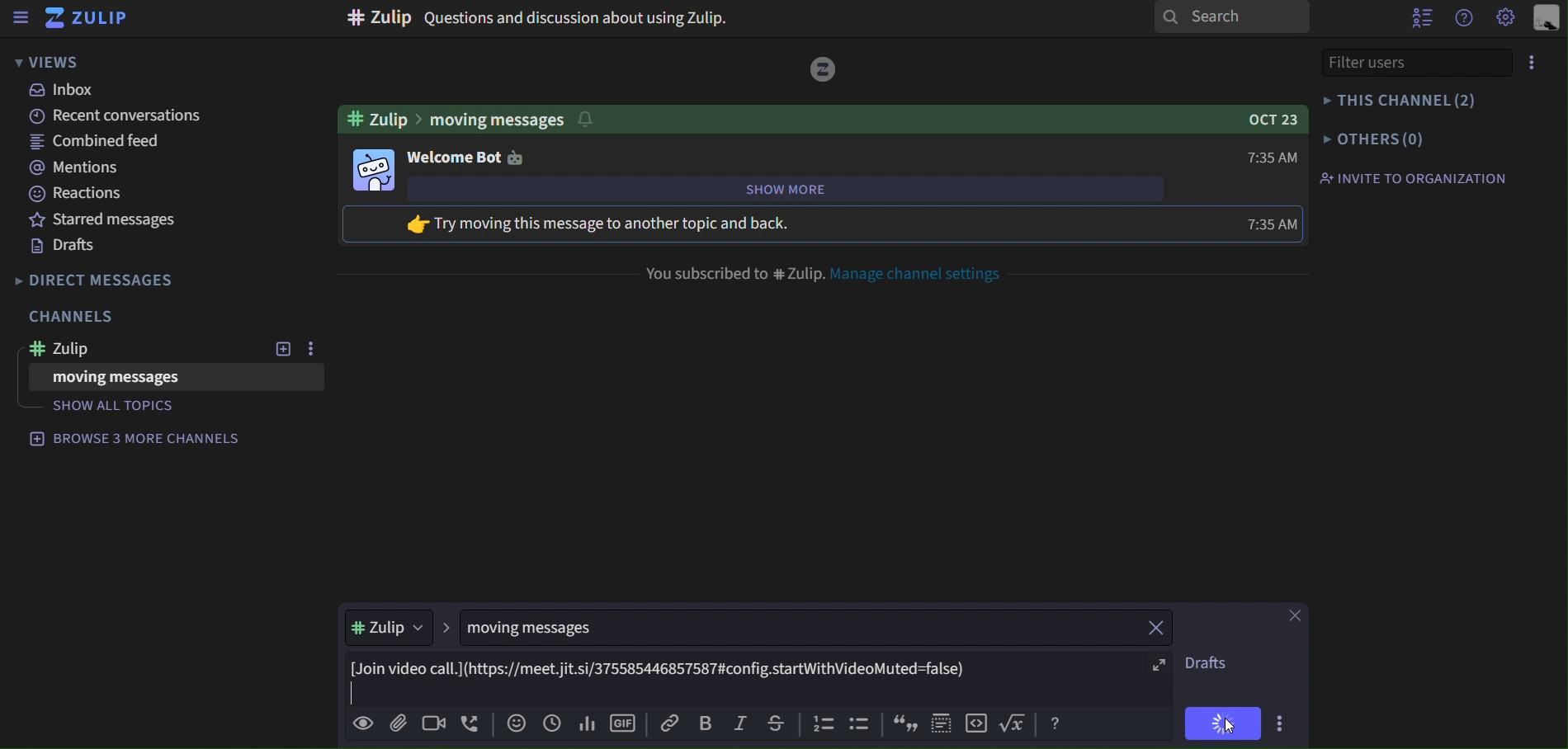  I want to click on icon, so click(857, 723).